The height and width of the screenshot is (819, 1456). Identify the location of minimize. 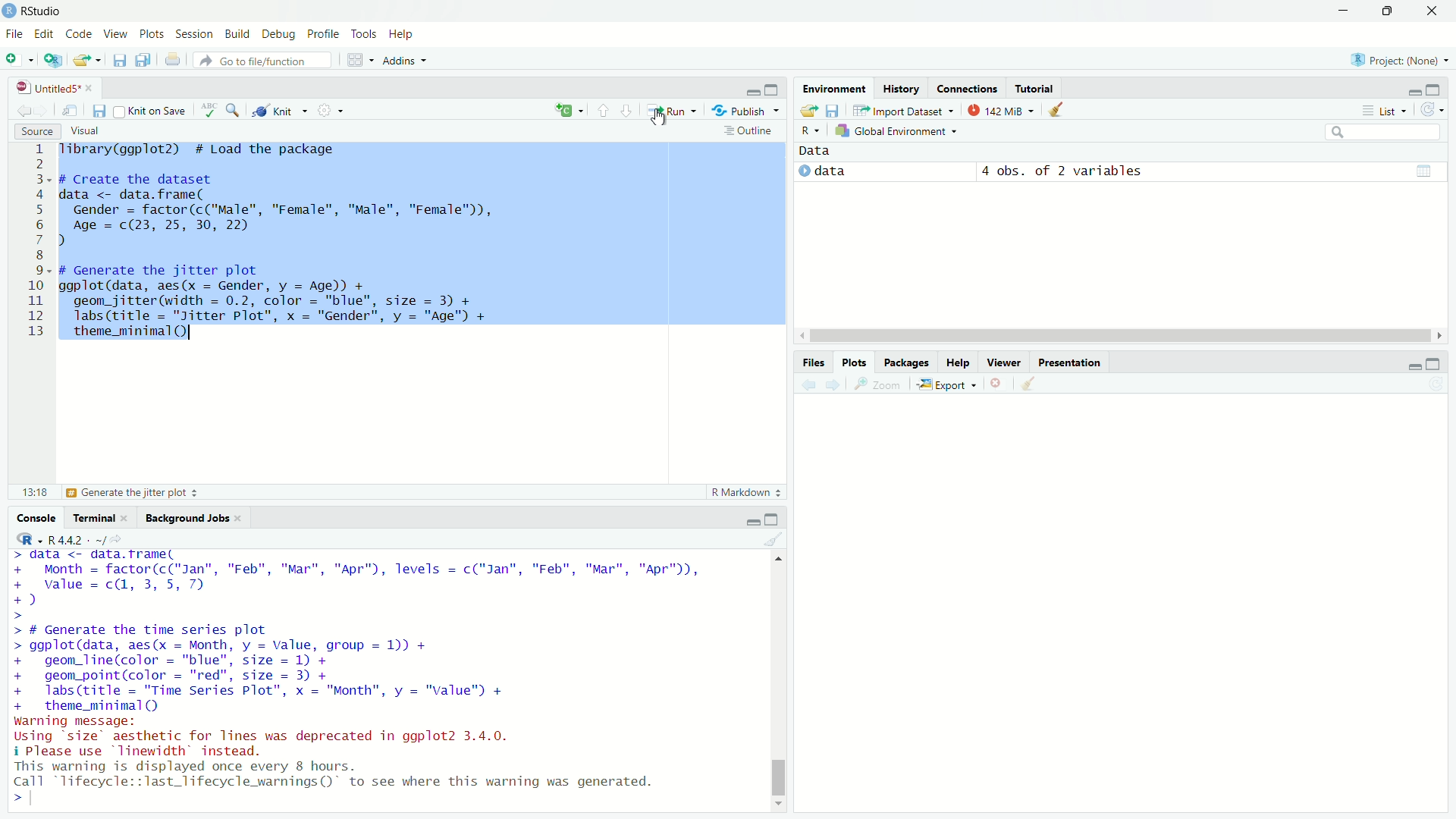
(1408, 364).